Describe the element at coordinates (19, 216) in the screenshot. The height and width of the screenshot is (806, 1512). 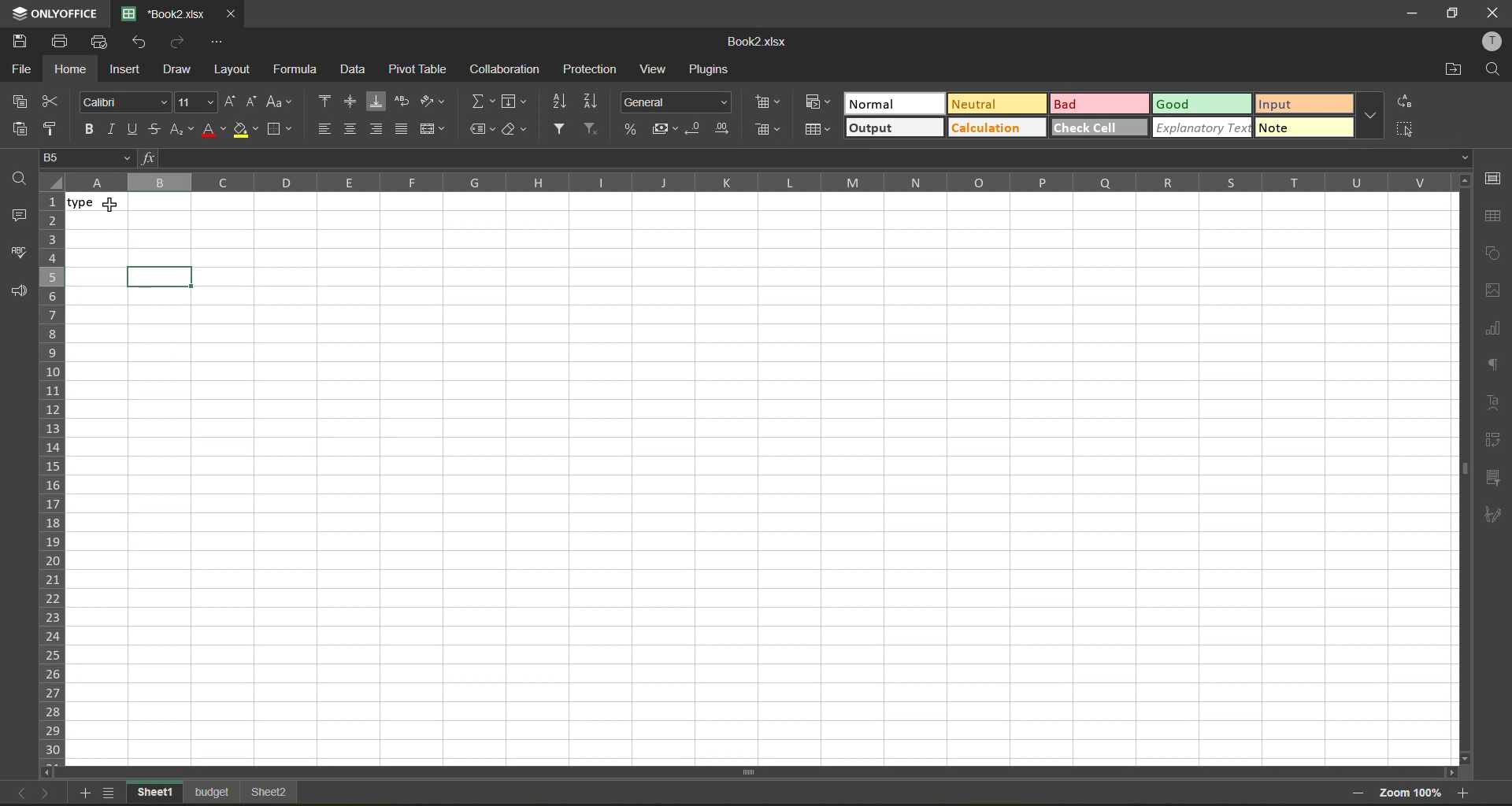
I see `comments` at that location.